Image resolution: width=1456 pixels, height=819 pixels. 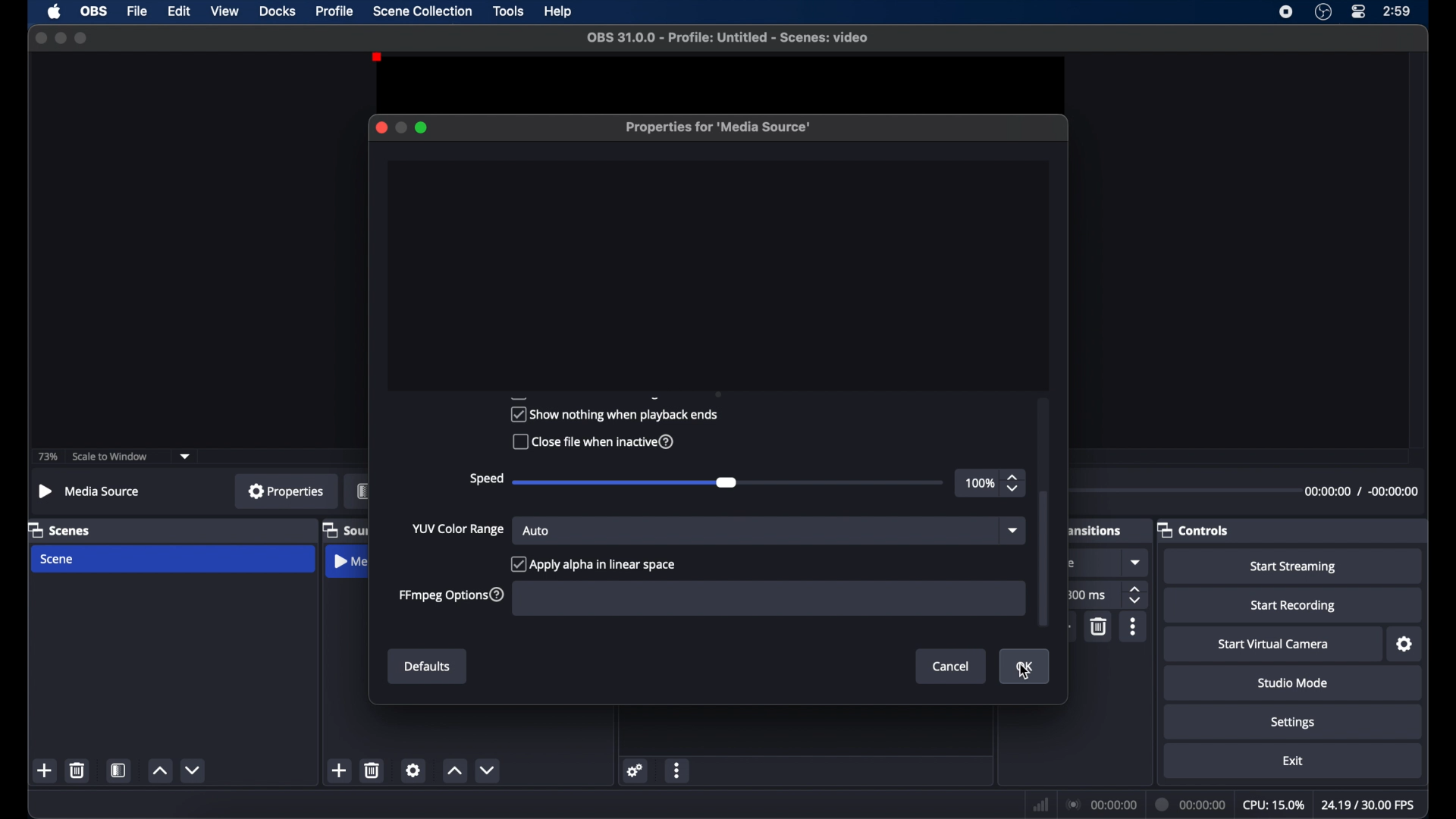 What do you see at coordinates (458, 529) in the screenshot?
I see `yup color range` at bounding box center [458, 529].